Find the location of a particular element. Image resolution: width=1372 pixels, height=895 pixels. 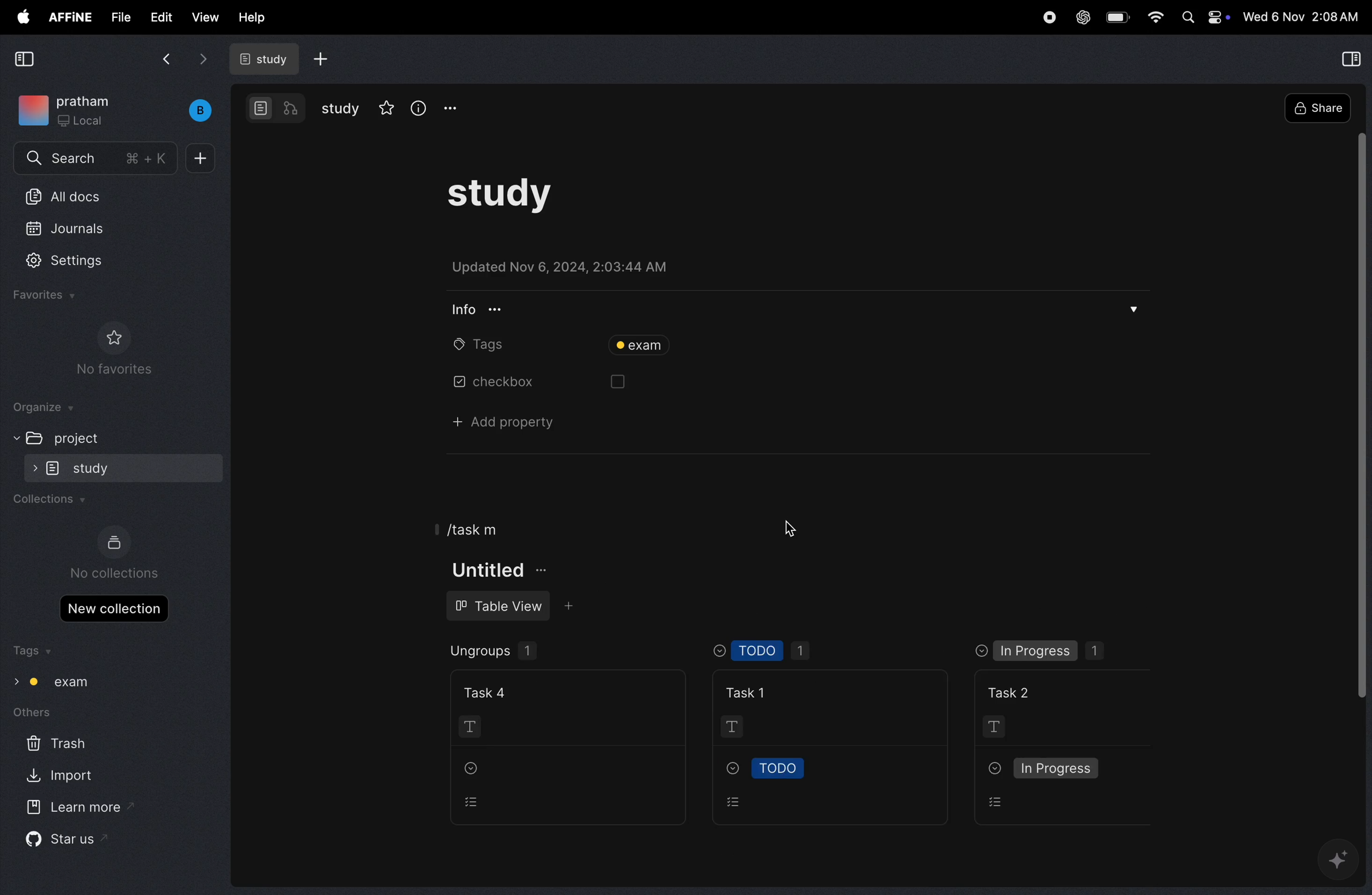

/task m is located at coordinates (468, 529).